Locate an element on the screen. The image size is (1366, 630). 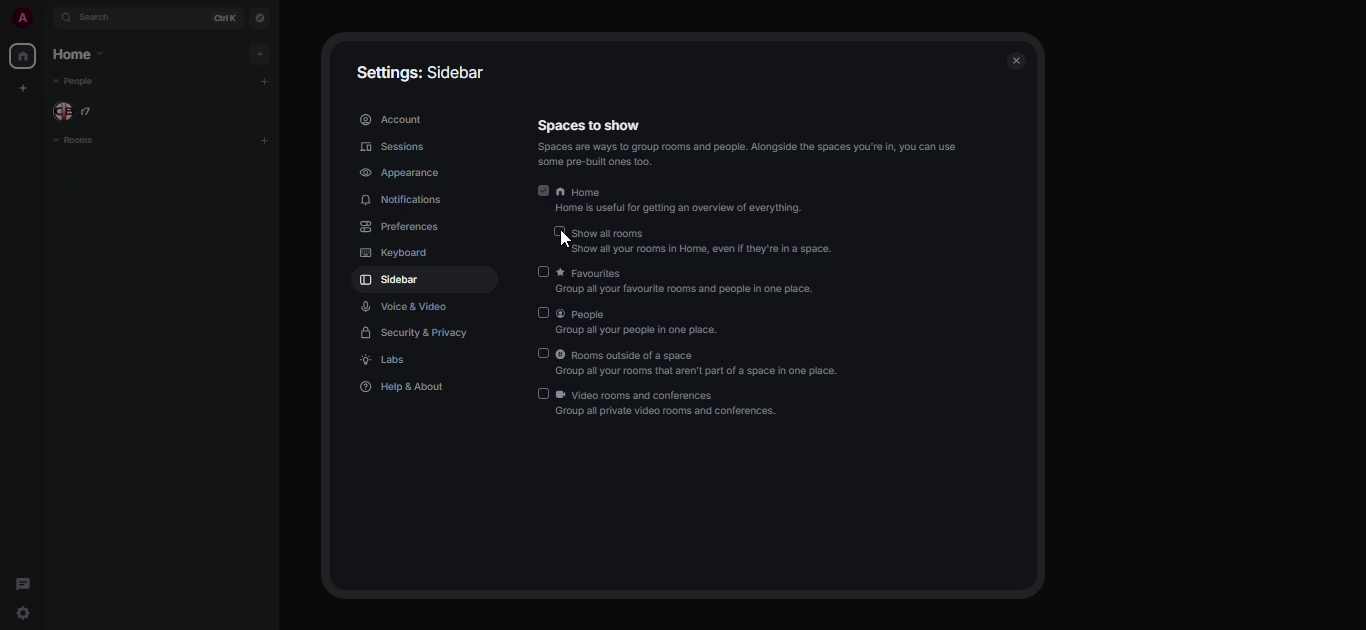
quick settings is located at coordinates (24, 612).